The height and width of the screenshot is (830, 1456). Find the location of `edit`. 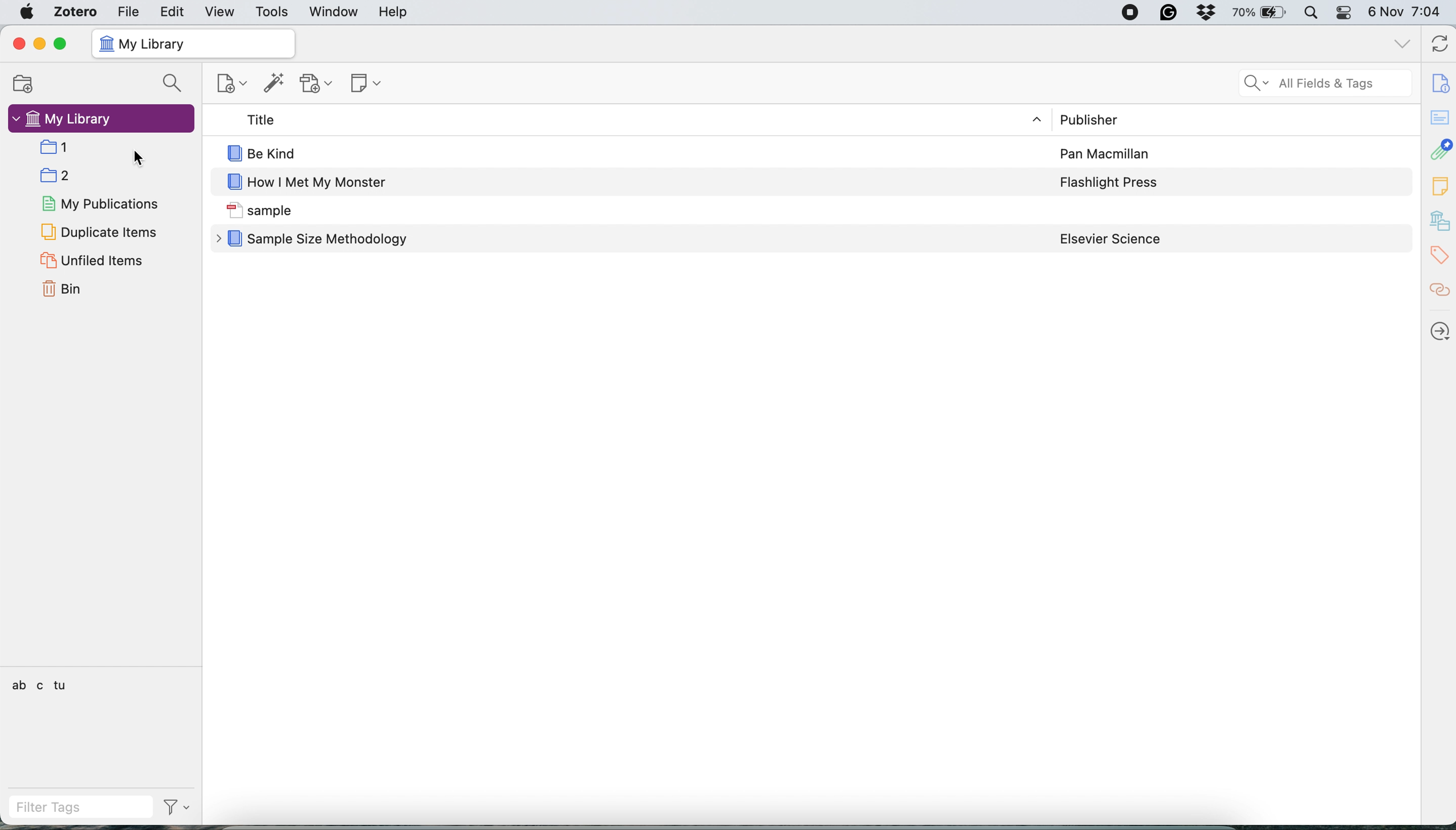

edit is located at coordinates (172, 13).